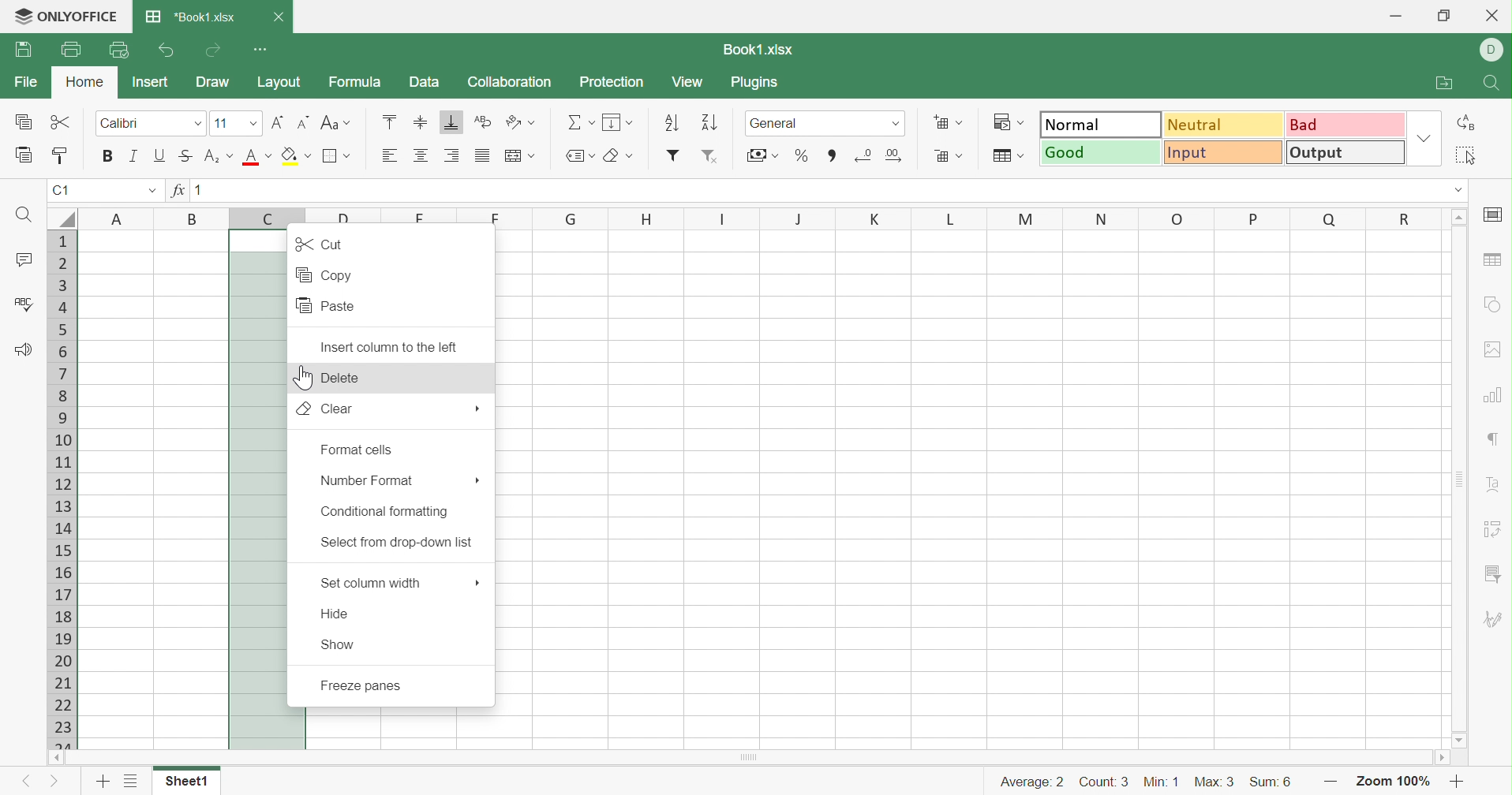 Image resolution: width=1512 pixels, height=795 pixels. I want to click on Remove filter, so click(713, 156).